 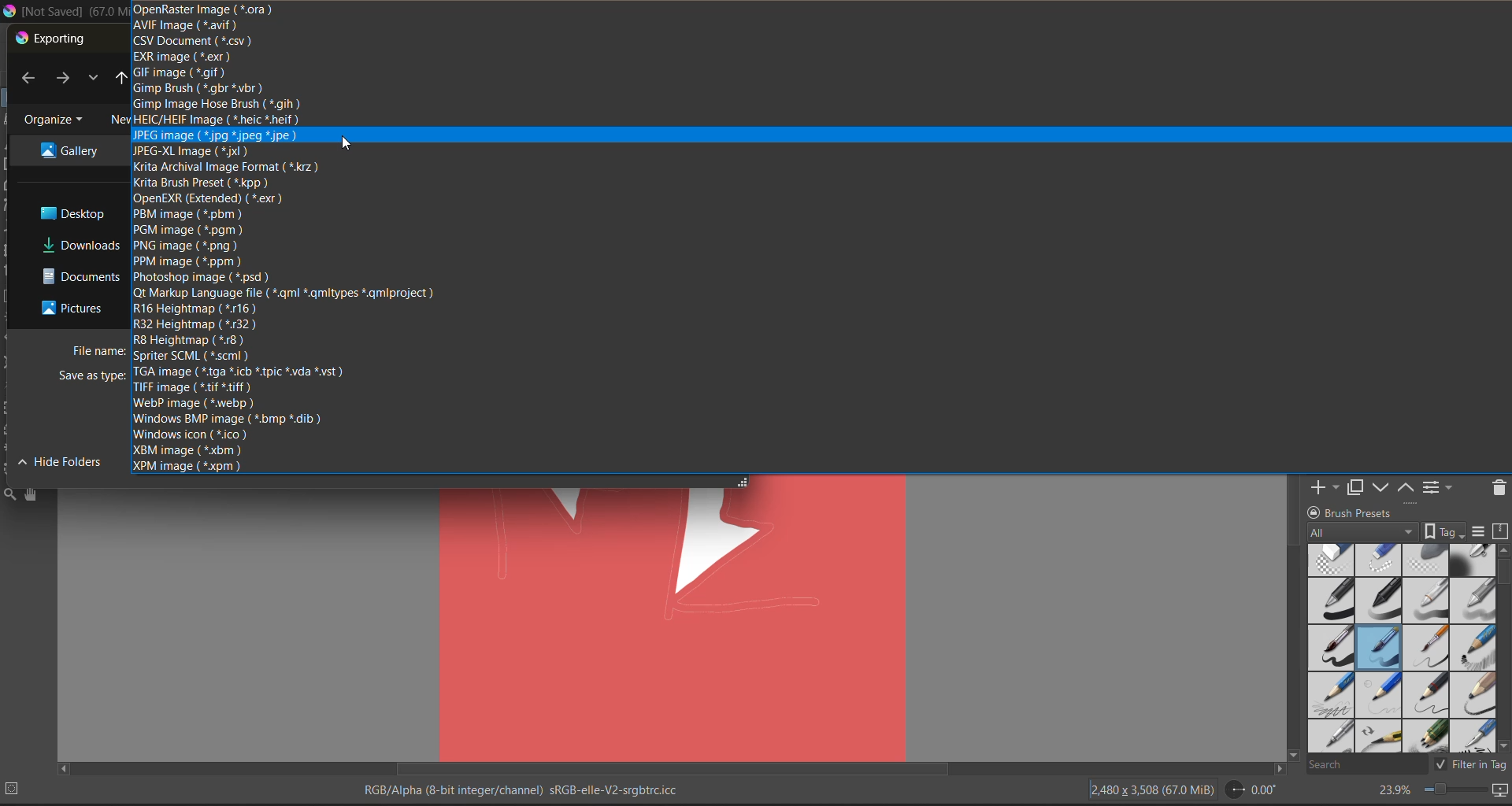 What do you see at coordinates (80, 307) in the screenshot?
I see `file destination` at bounding box center [80, 307].